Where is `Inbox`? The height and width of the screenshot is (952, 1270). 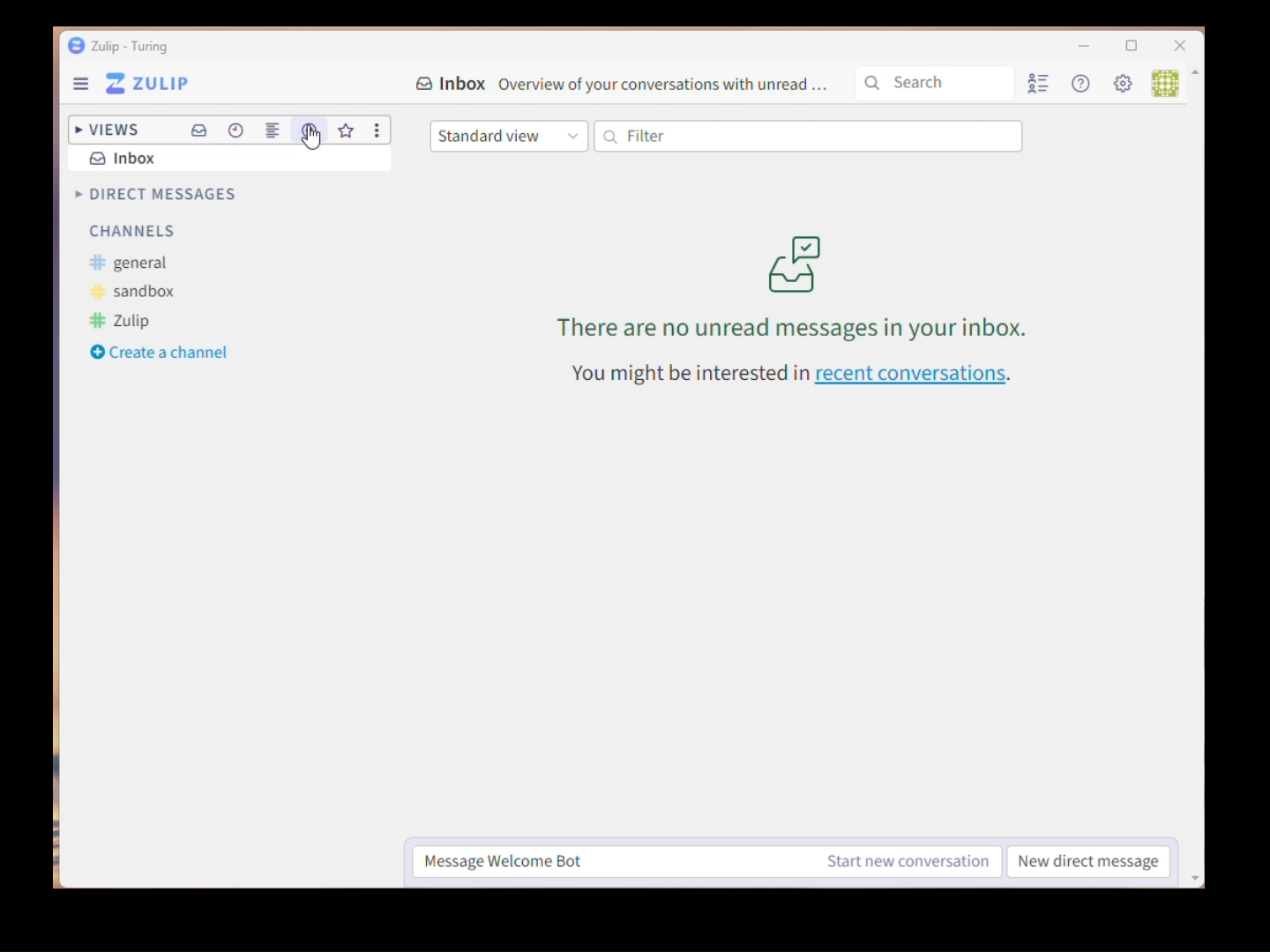 Inbox is located at coordinates (124, 158).